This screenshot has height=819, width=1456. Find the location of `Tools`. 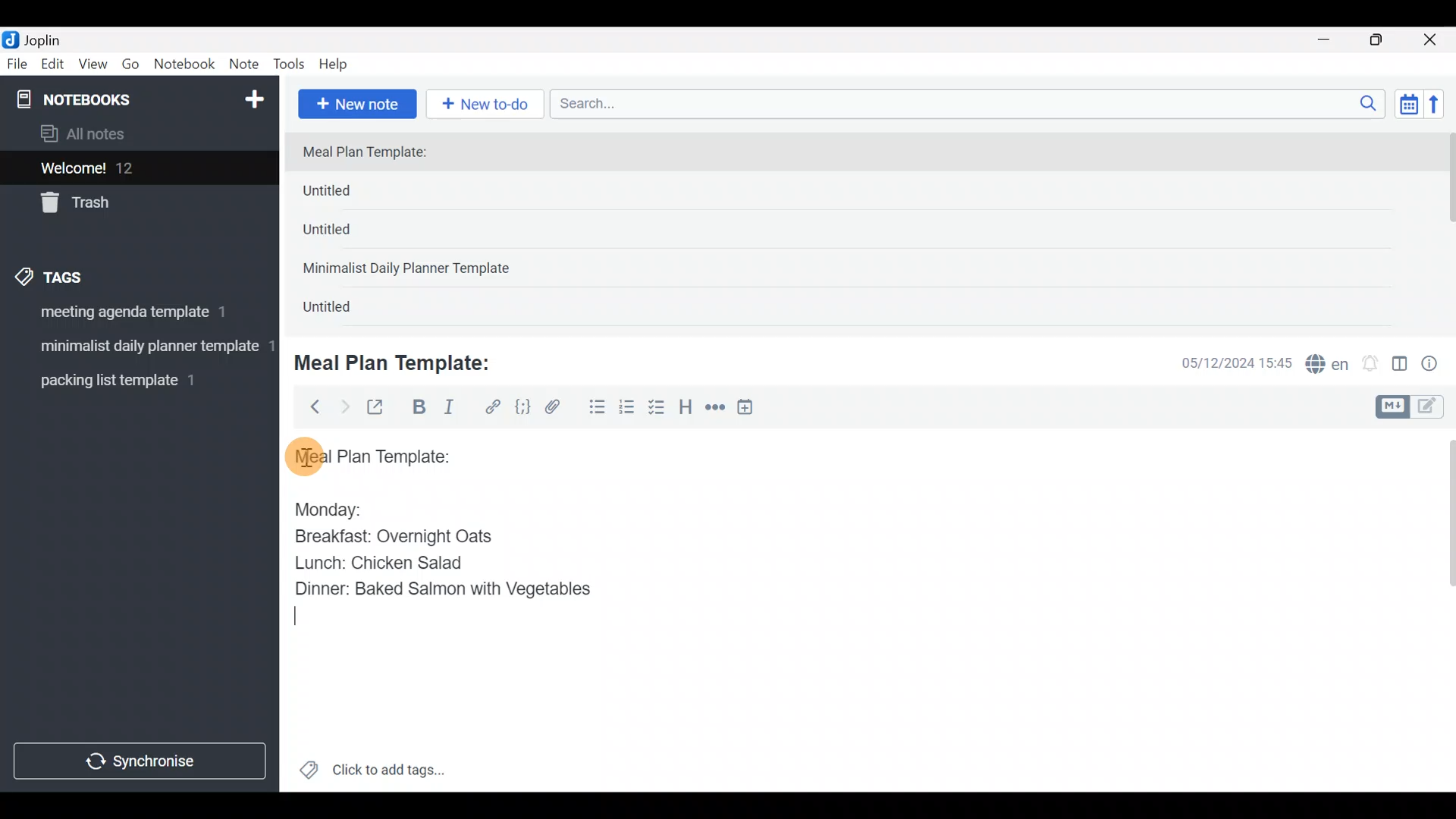

Tools is located at coordinates (290, 65).